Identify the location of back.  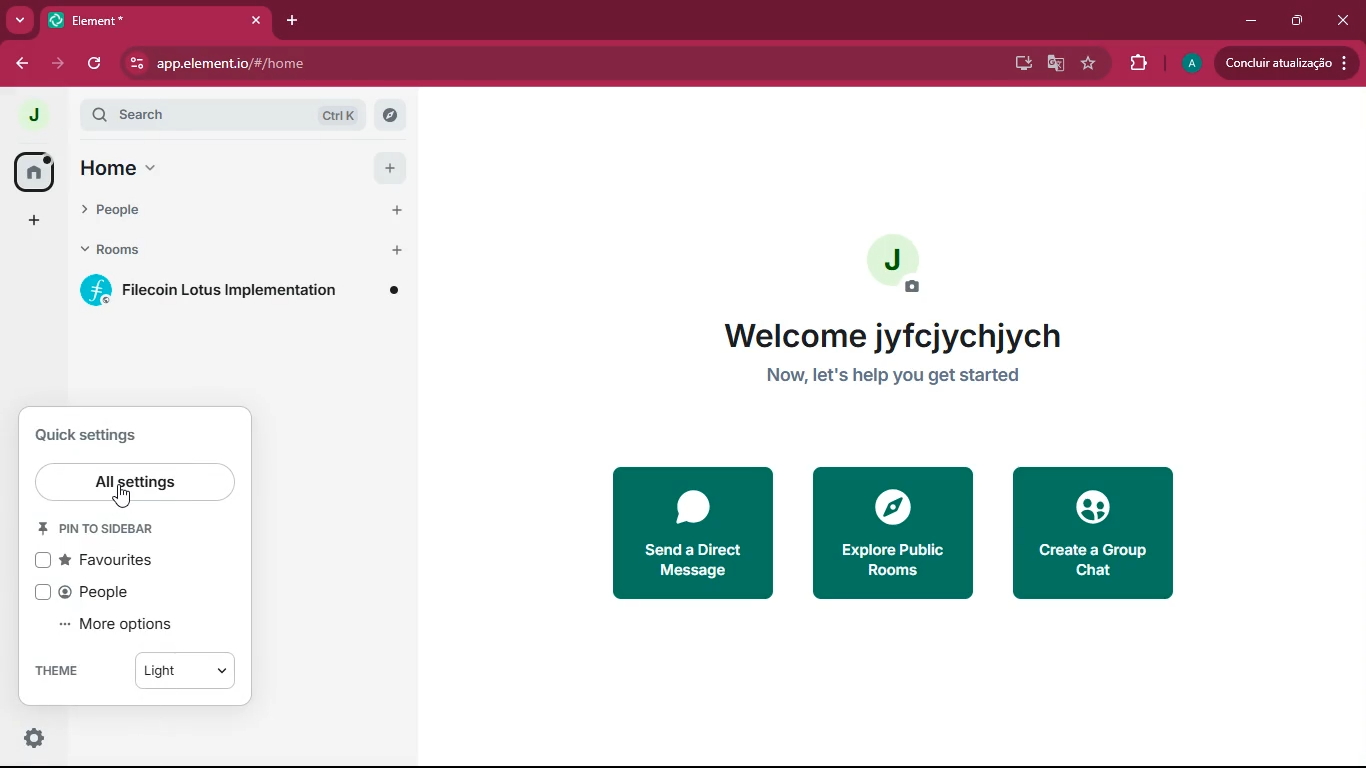
(26, 63).